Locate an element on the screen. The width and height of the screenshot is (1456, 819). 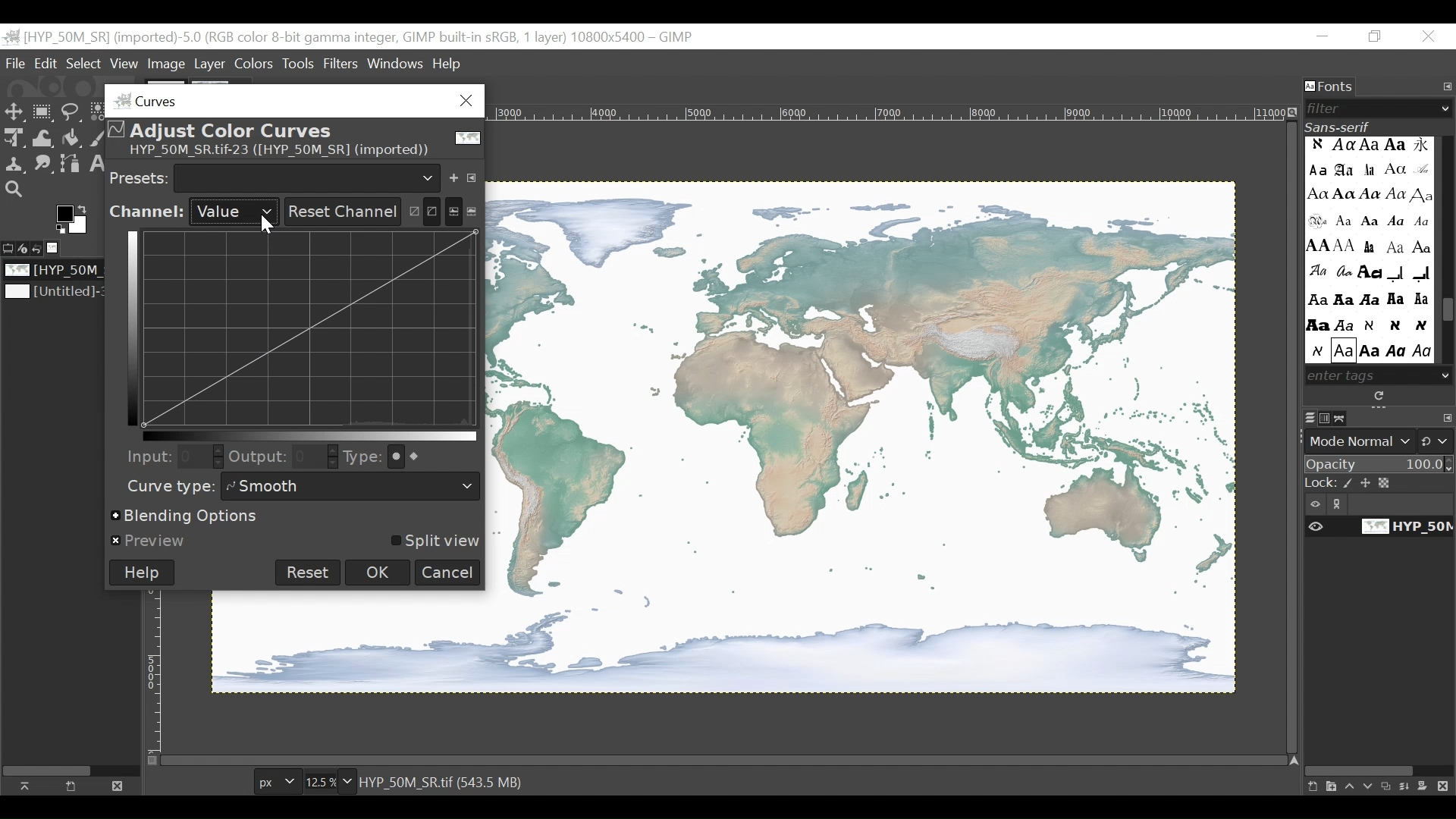
Enter Tags is located at coordinates (1368, 249).